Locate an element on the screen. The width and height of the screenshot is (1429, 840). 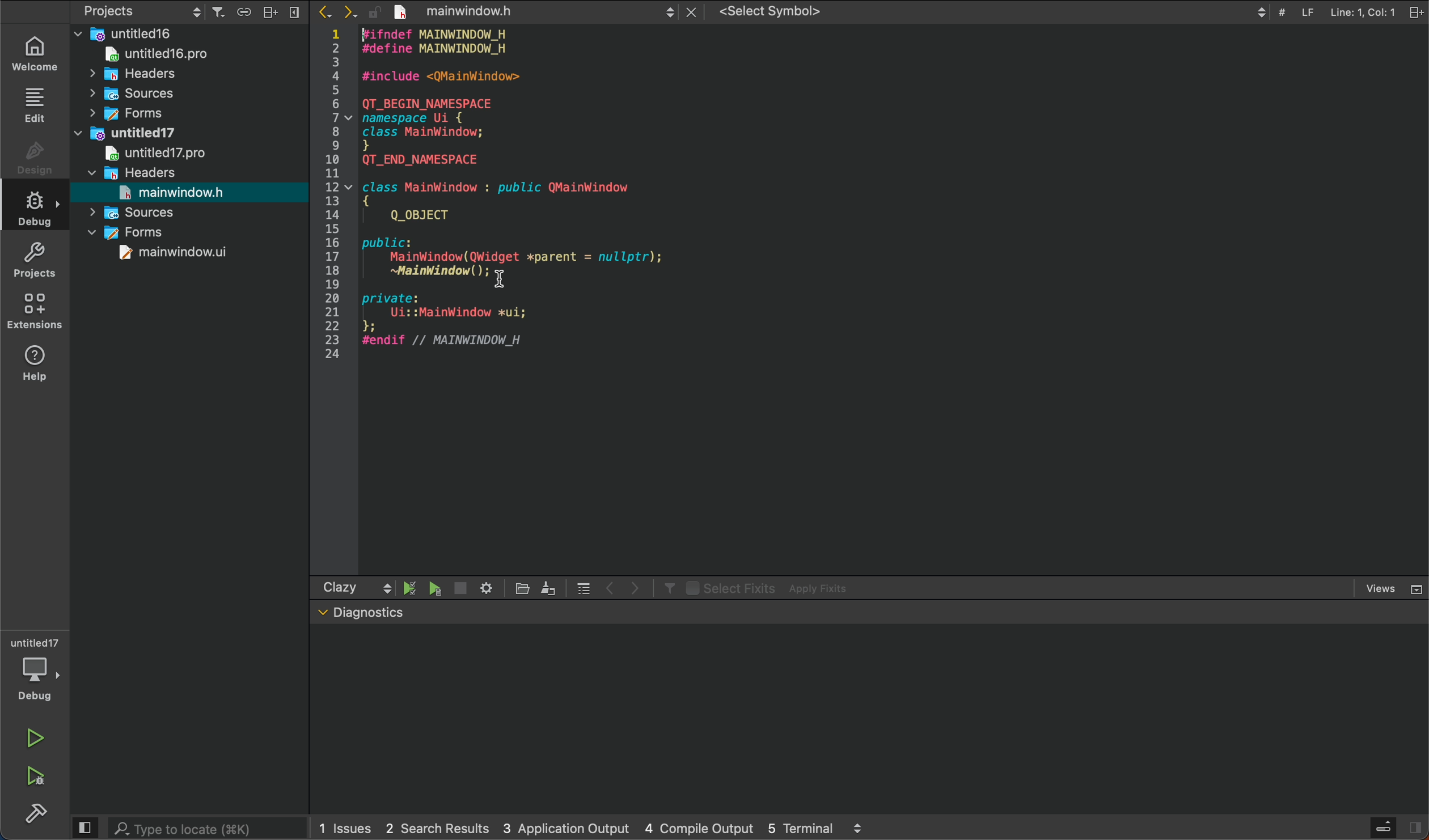
untitled17.pro is located at coordinates (152, 153).